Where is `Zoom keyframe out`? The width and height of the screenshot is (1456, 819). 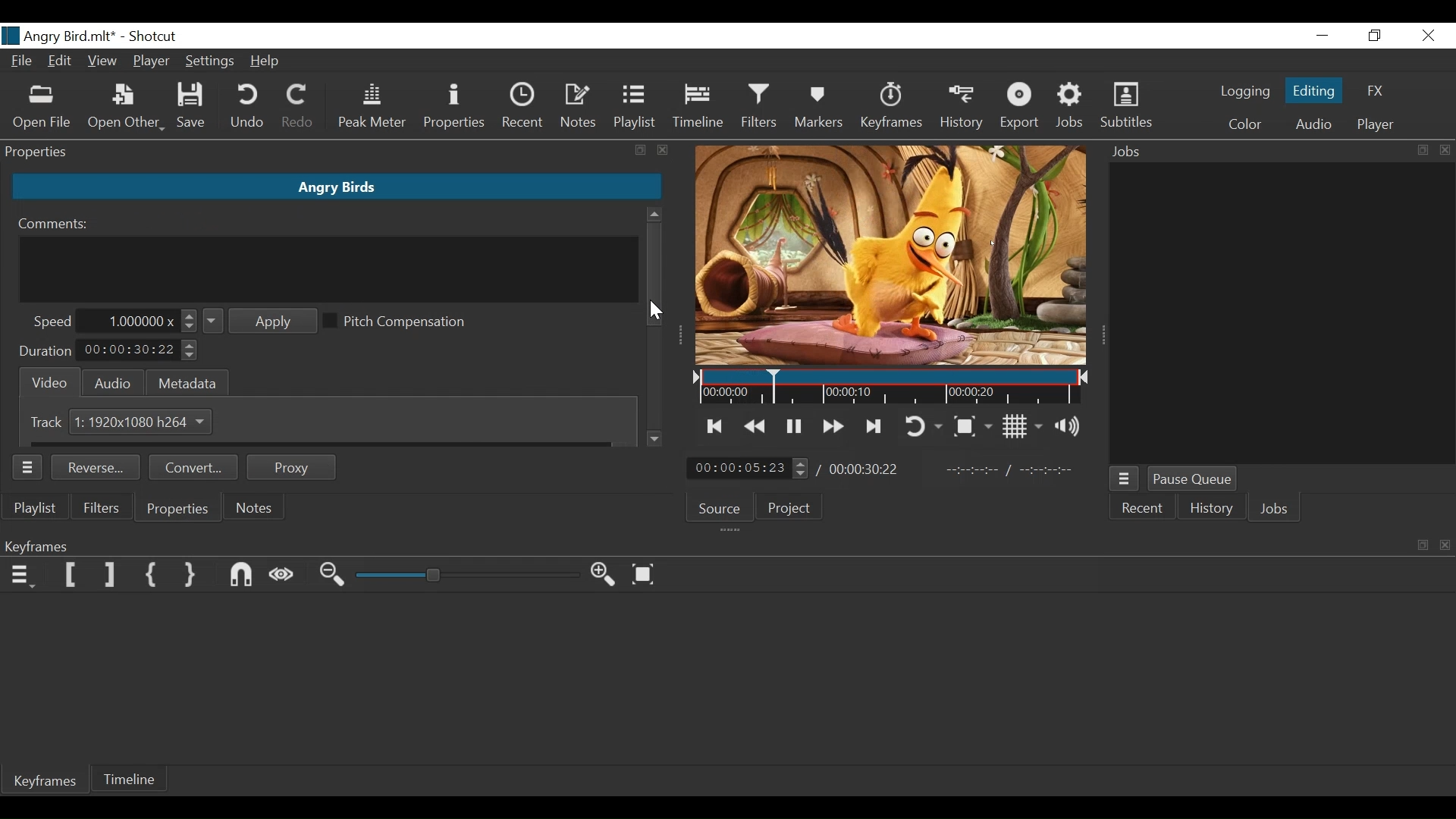
Zoom keyframe out is located at coordinates (334, 576).